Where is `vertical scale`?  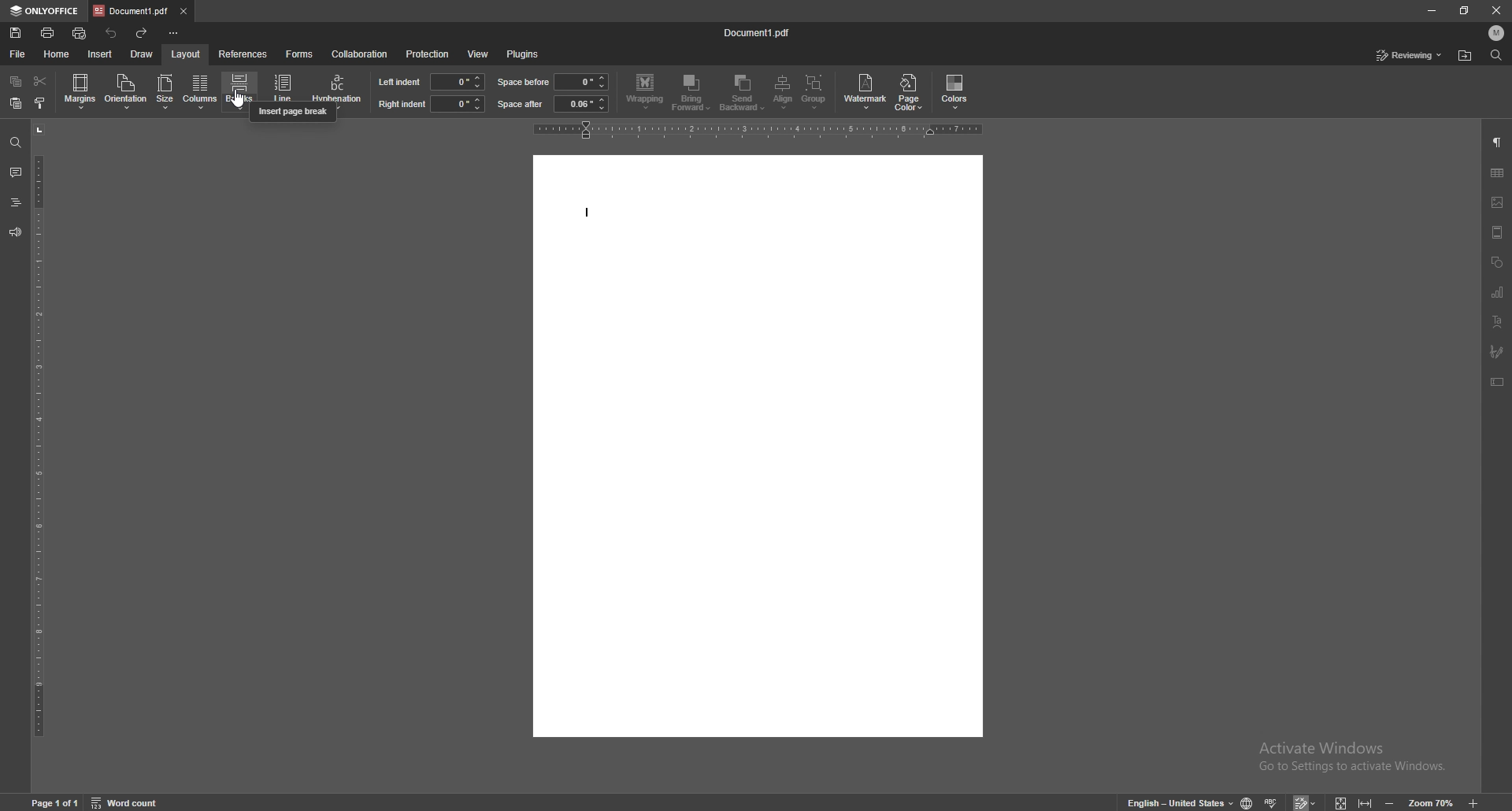 vertical scale is located at coordinates (35, 430).